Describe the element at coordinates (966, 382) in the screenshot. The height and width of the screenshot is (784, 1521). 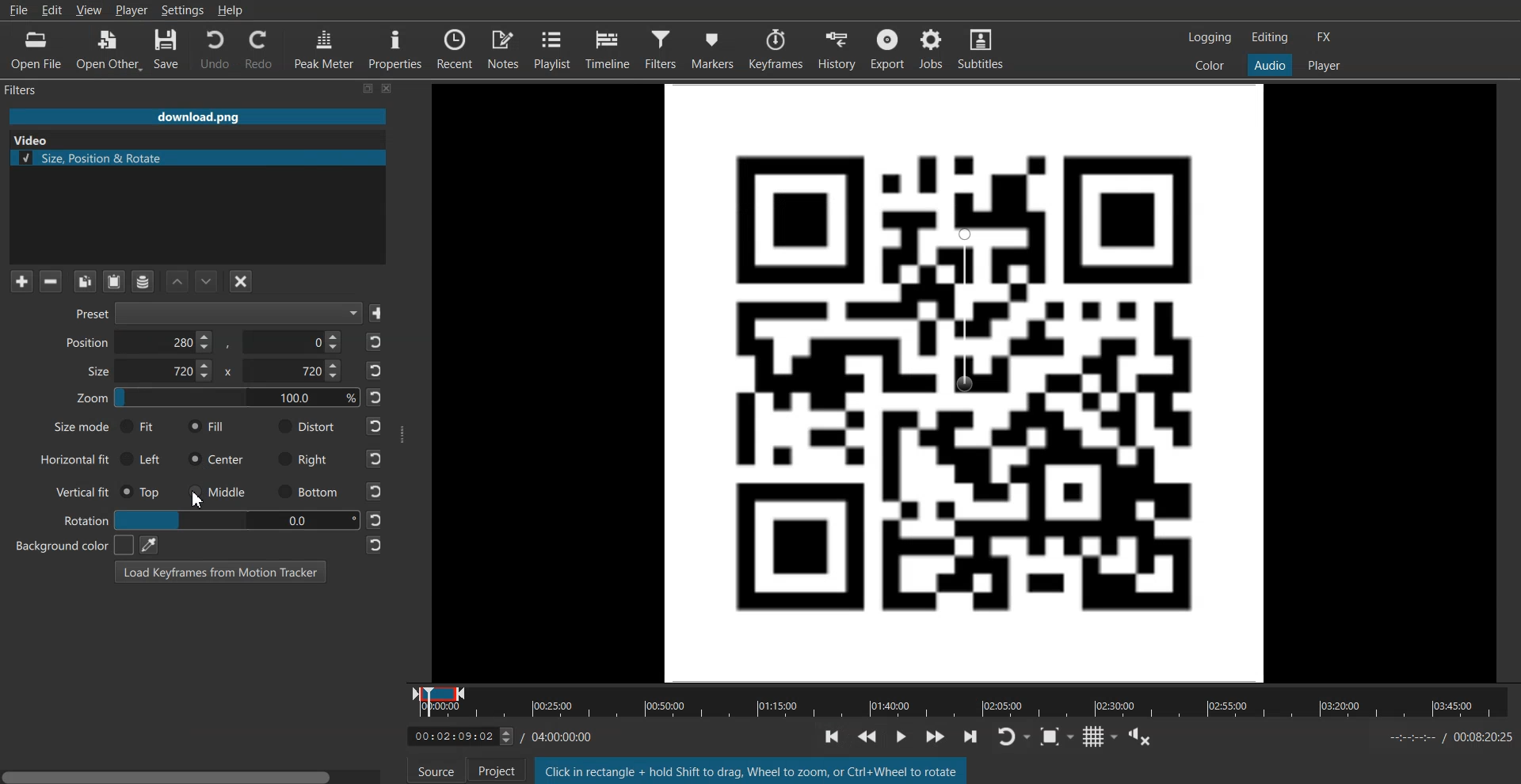
I see `Window set fit` at that location.